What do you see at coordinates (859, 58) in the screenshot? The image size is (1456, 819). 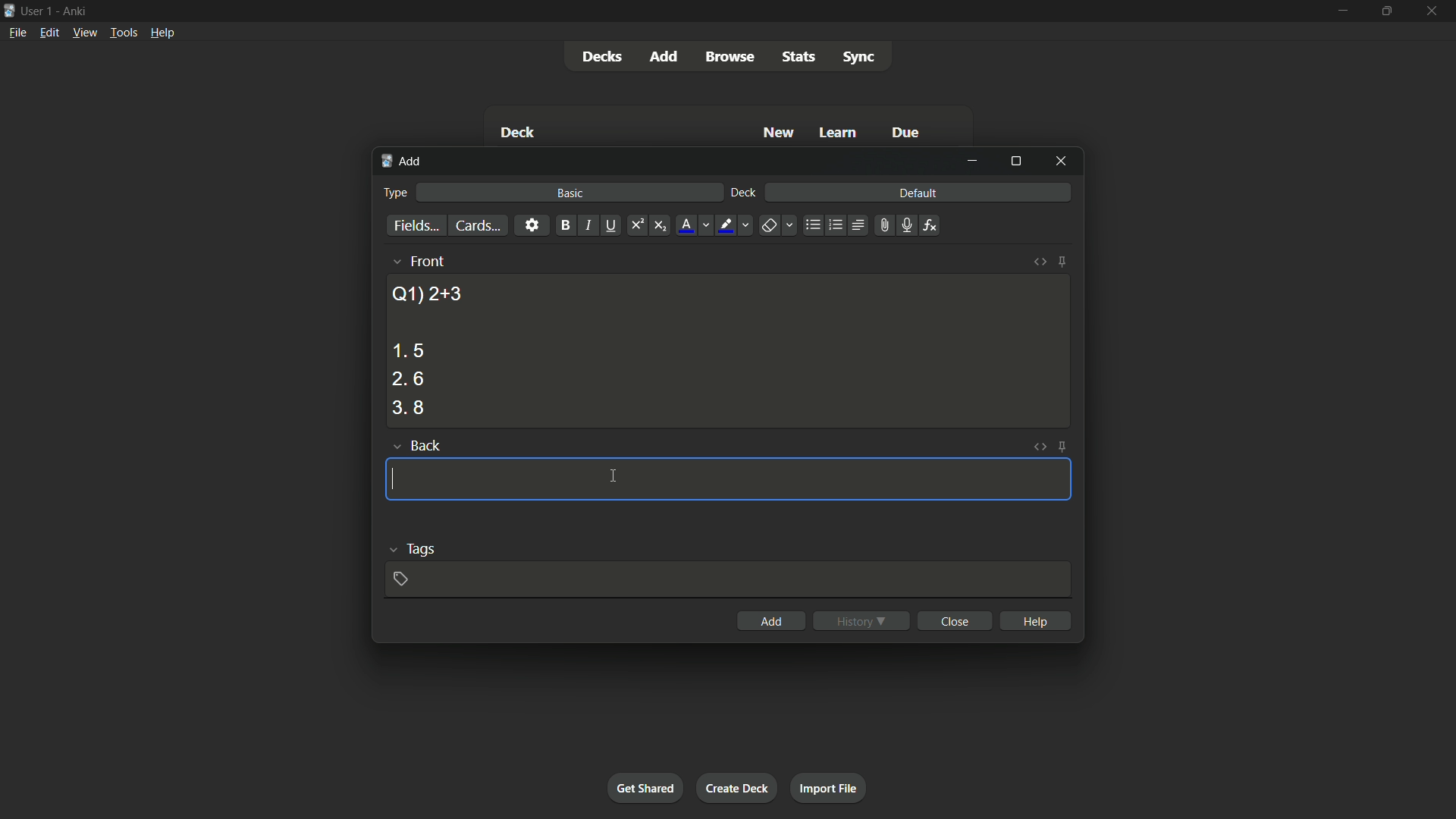 I see `sync` at bounding box center [859, 58].